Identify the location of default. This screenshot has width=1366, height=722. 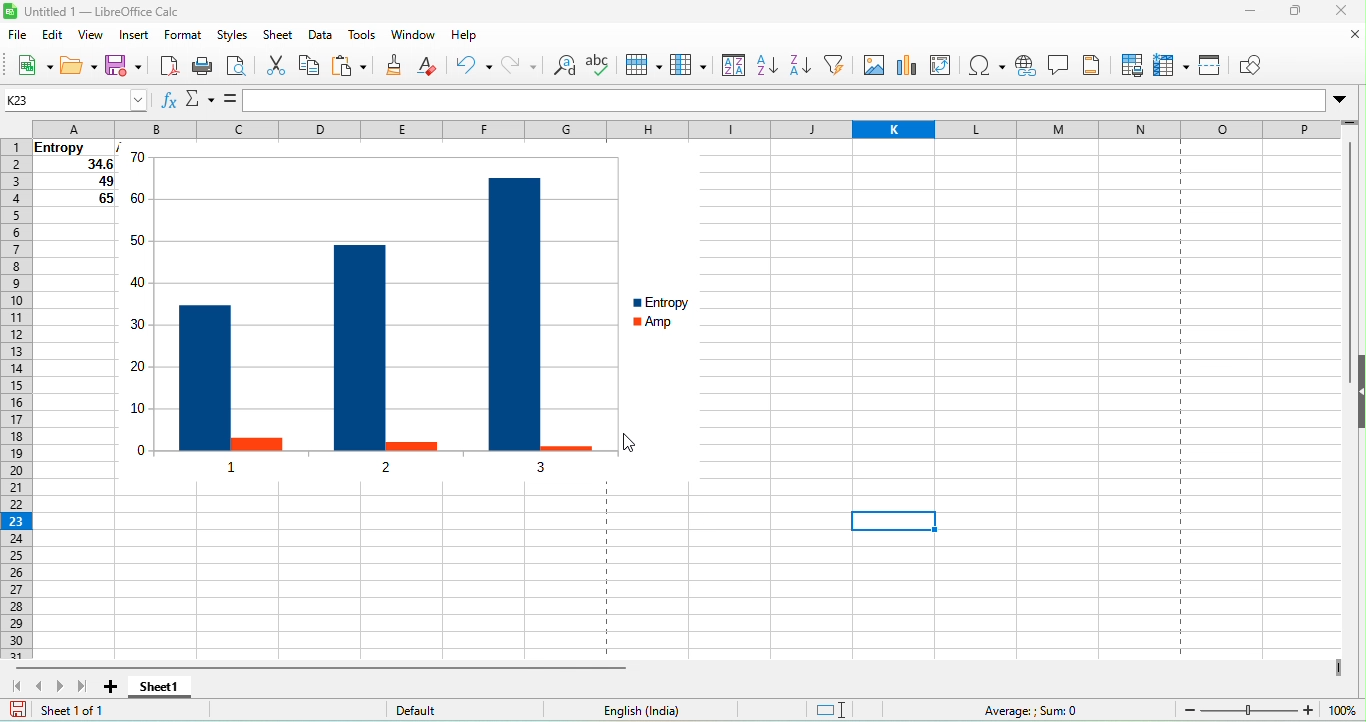
(471, 710).